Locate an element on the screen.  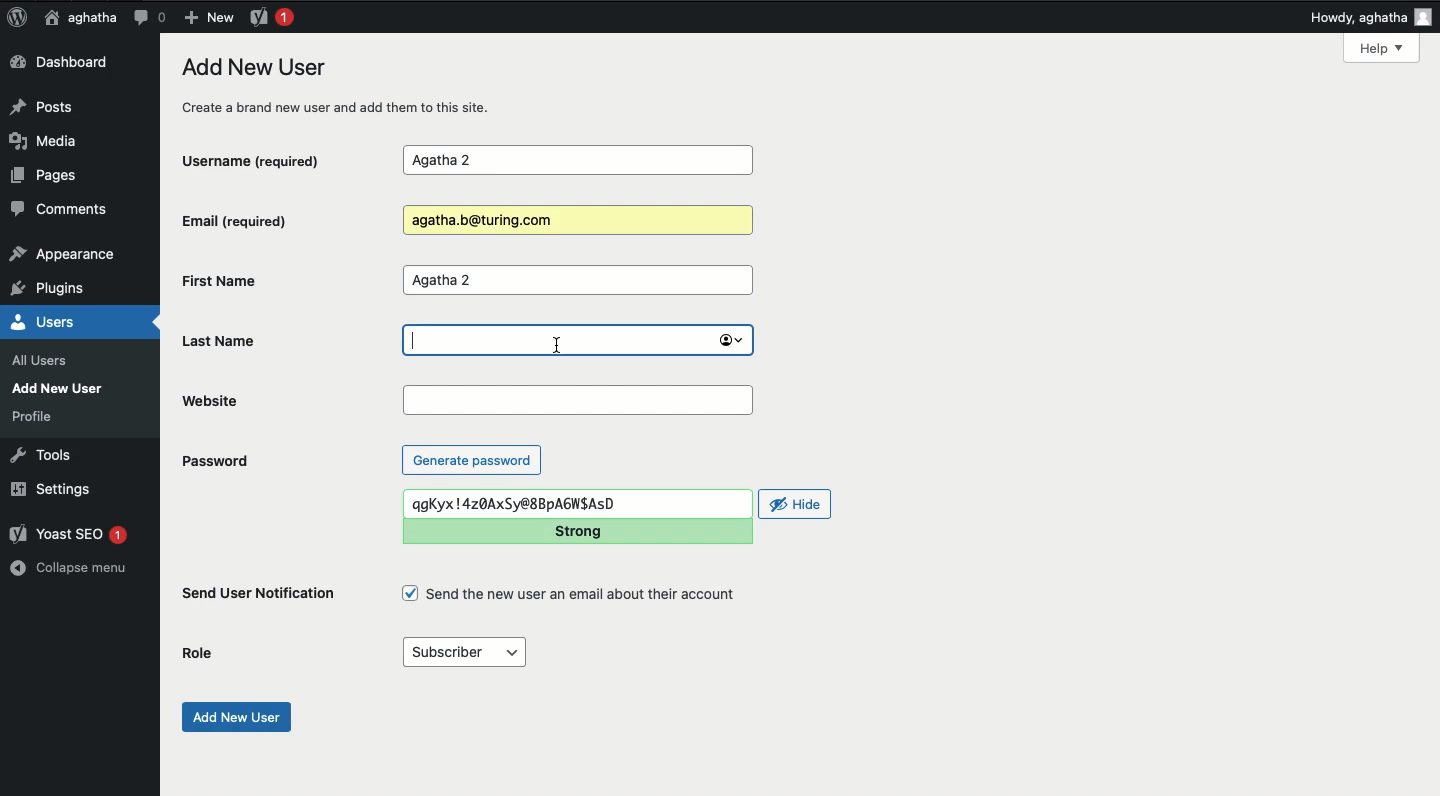
Strong is located at coordinates (578, 532).